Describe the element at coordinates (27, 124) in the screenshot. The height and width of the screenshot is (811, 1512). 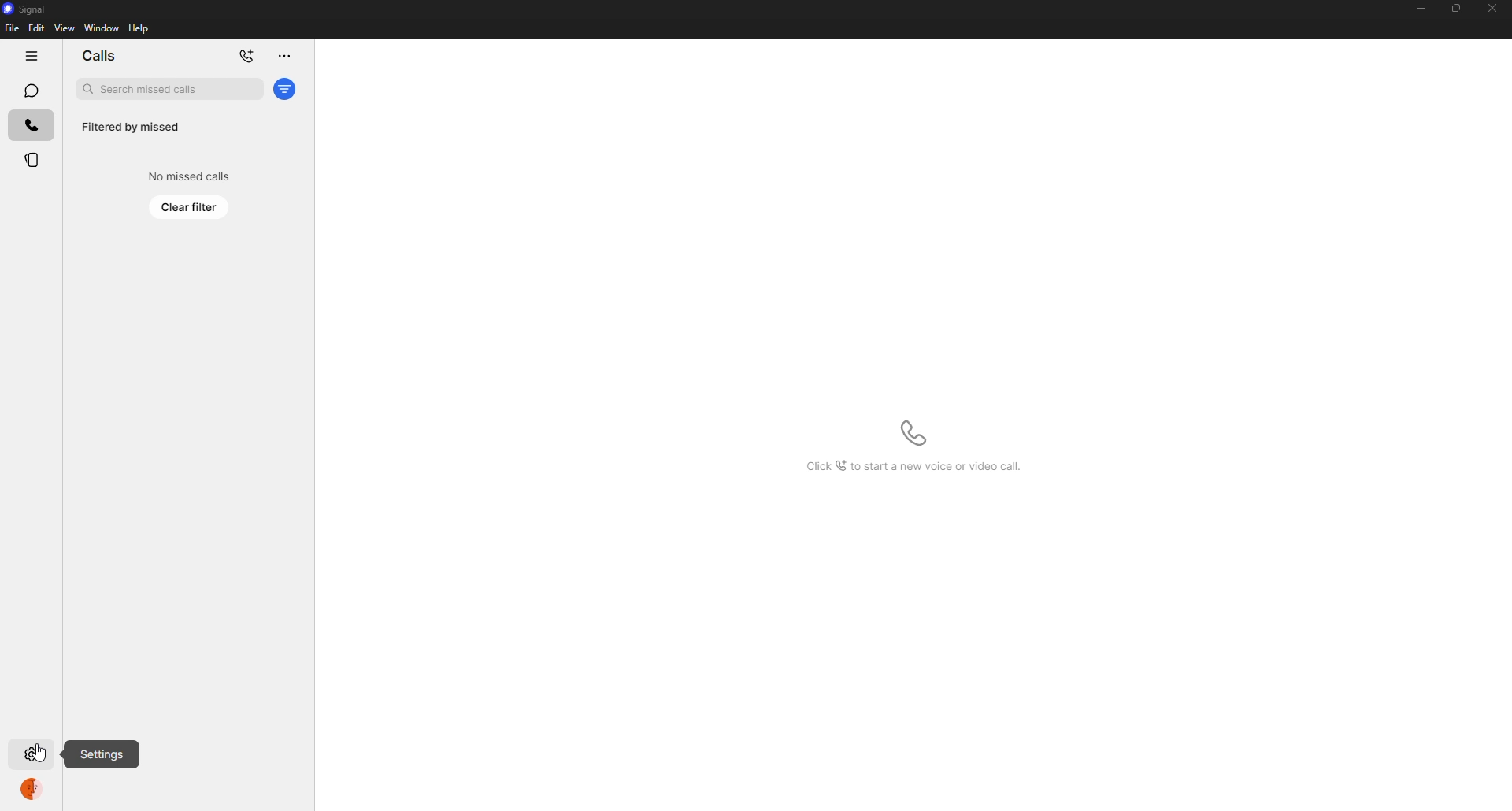
I see `calls` at that location.